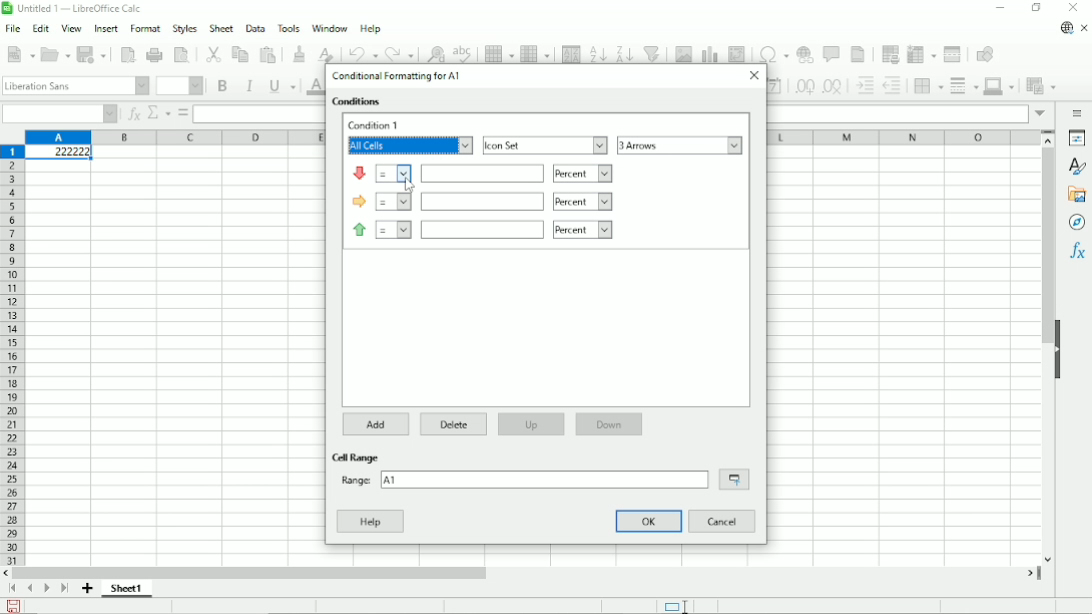 Image resolution: width=1092 pixels, height=614 pixels. I want to click on Open, so click(56, 54).